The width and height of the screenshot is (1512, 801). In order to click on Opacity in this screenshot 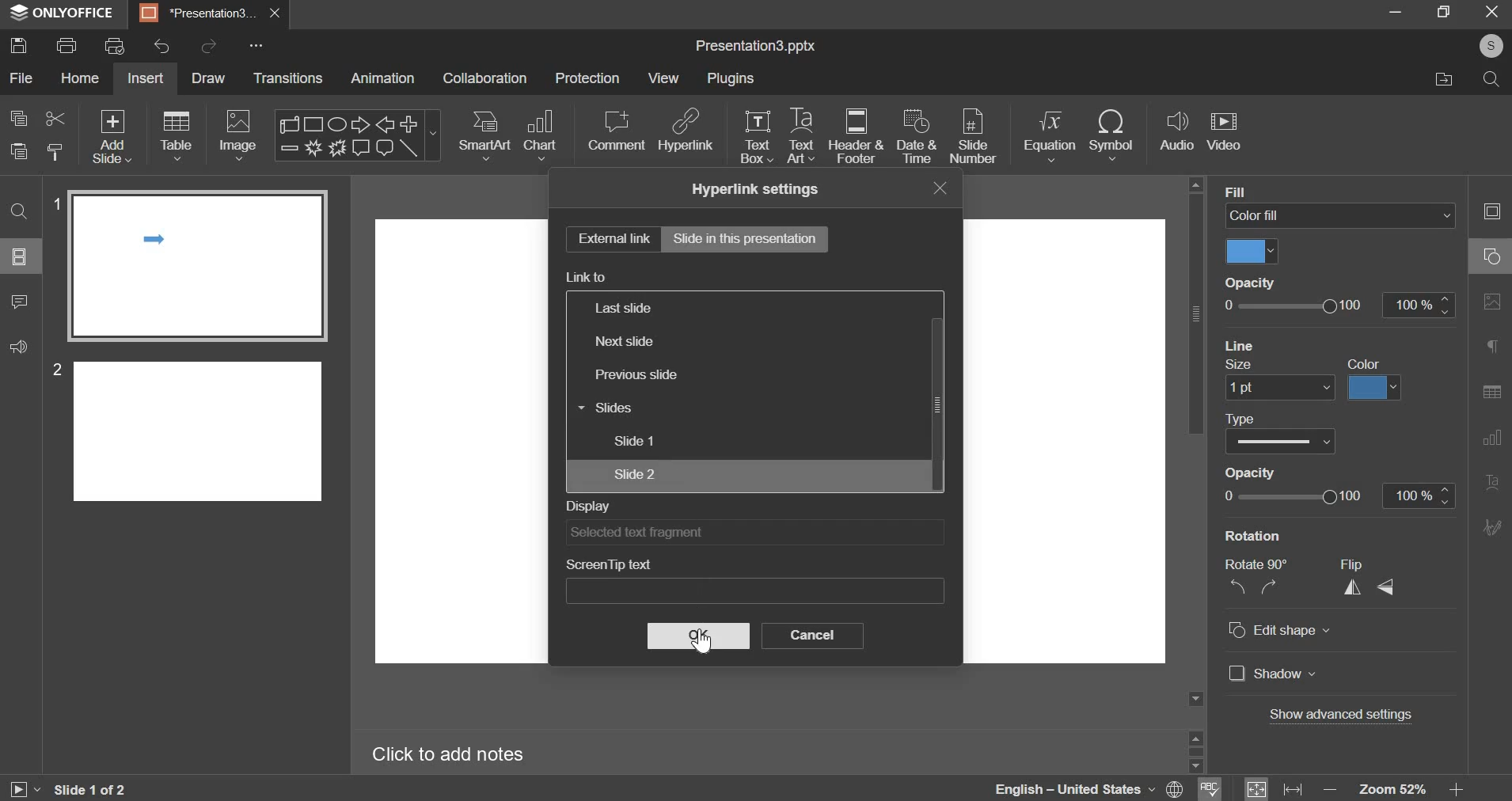, I will do `click(1250, 282)`.